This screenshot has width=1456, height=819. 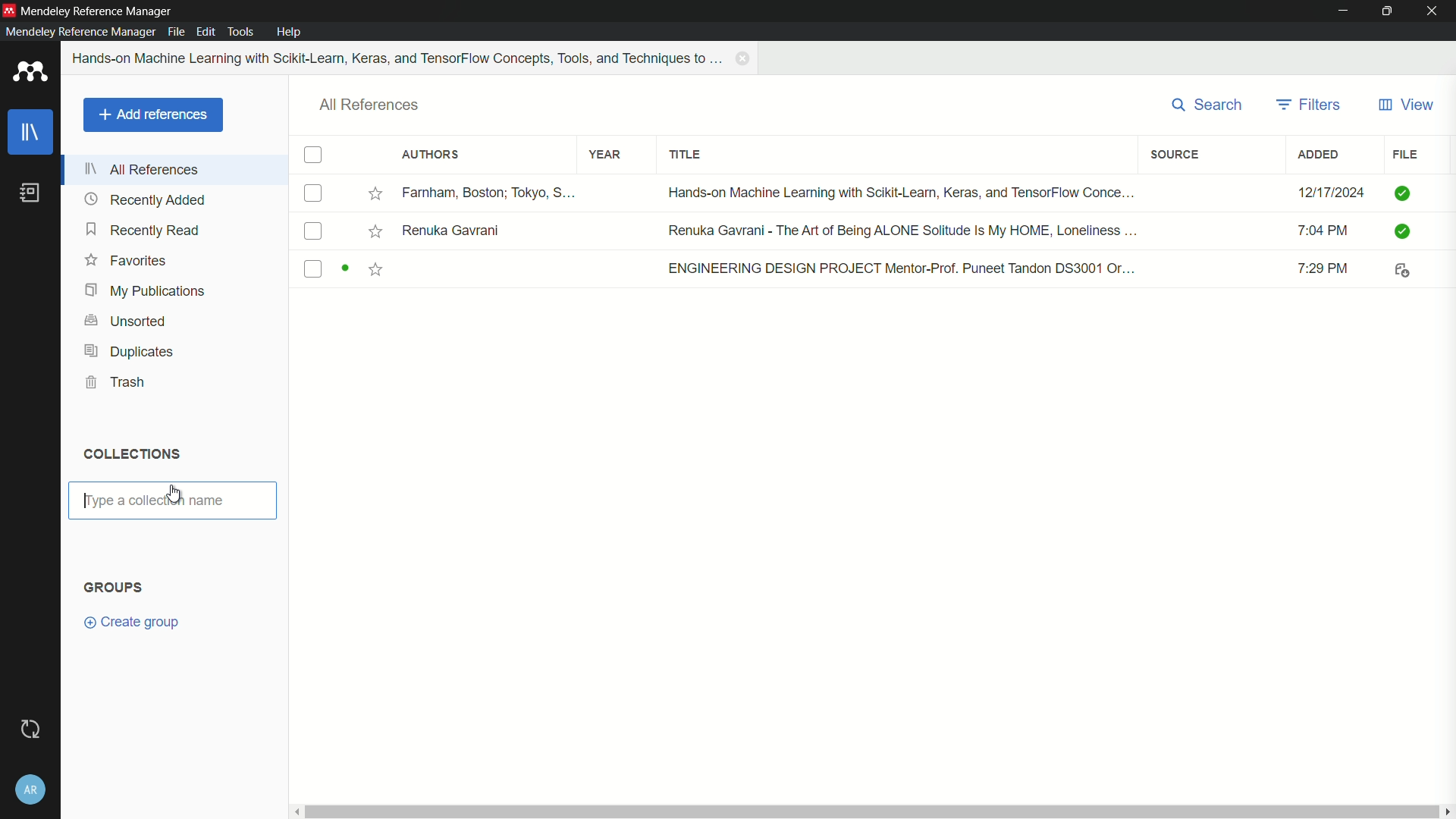 I want to click on app icon, so click(x=9, y=11).